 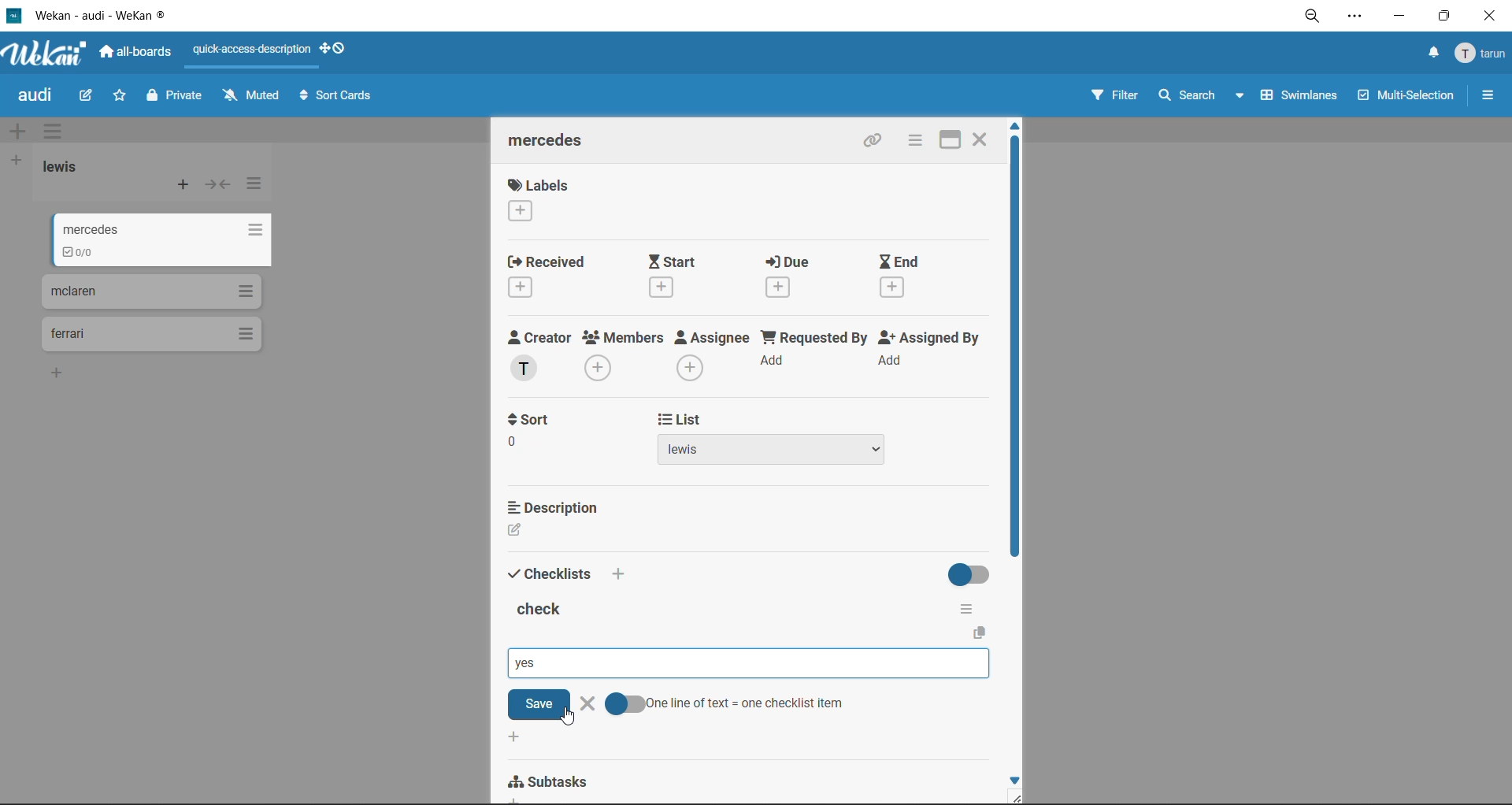 What do you see at coordinates (39, 97) in the screenshot?
I see `board title` at bounding box center [39, 97].